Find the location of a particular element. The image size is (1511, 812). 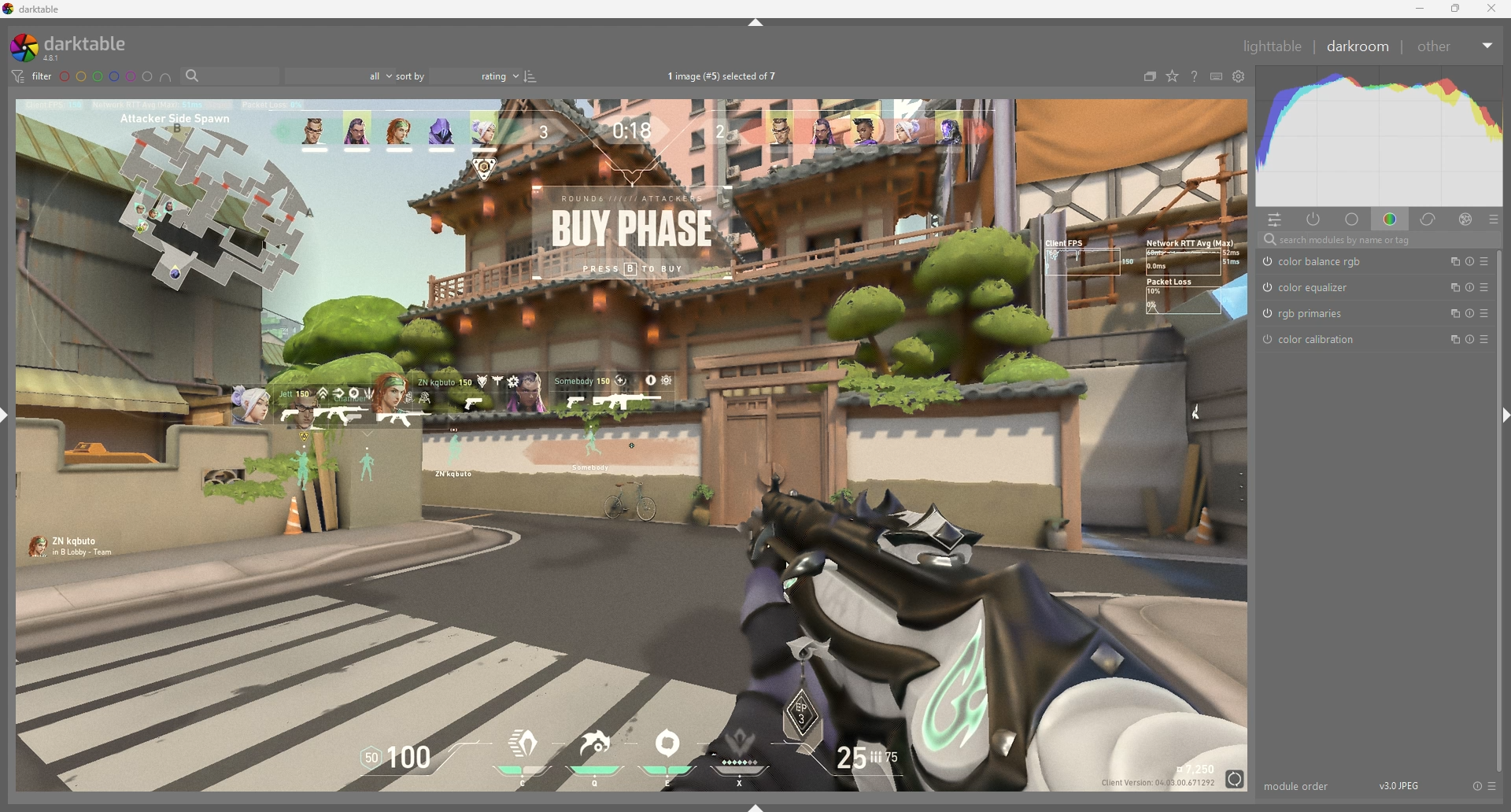

quick access panel is located at coordinates (1274, 221).